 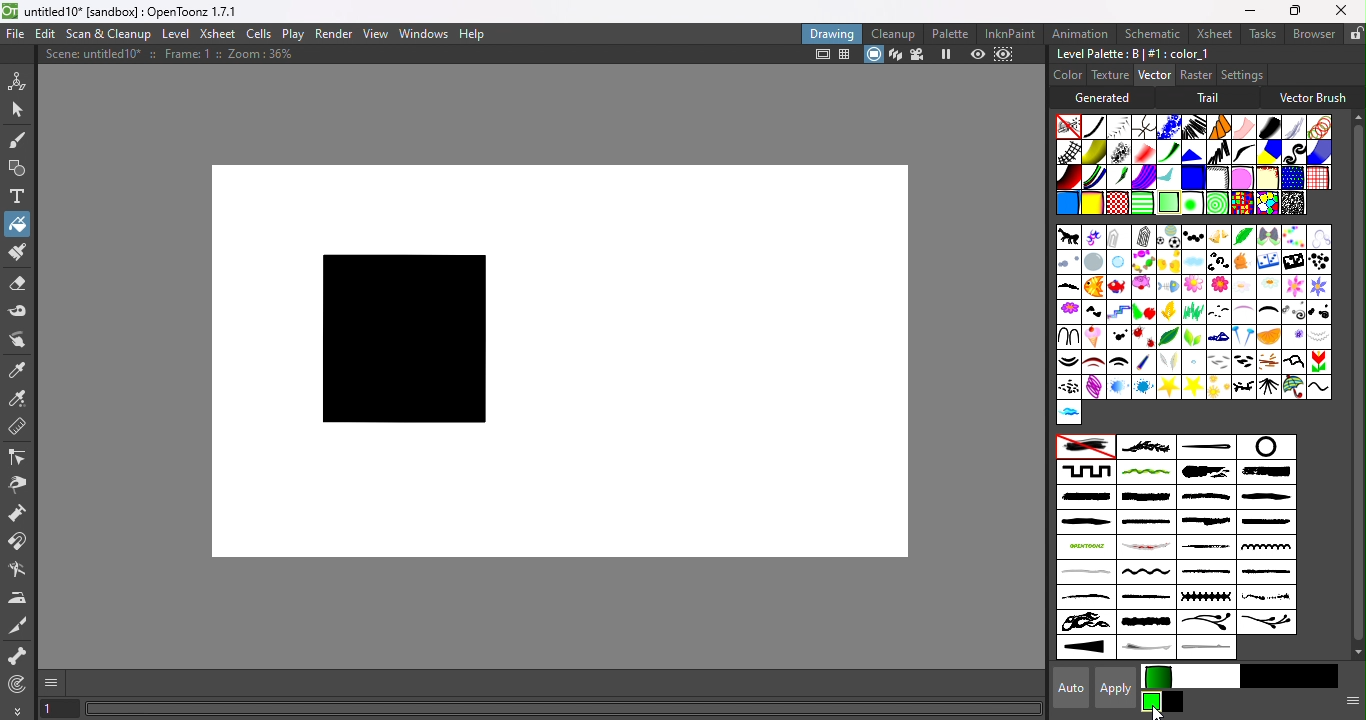 I want to click on Candy, so click(x=1142, y=262).